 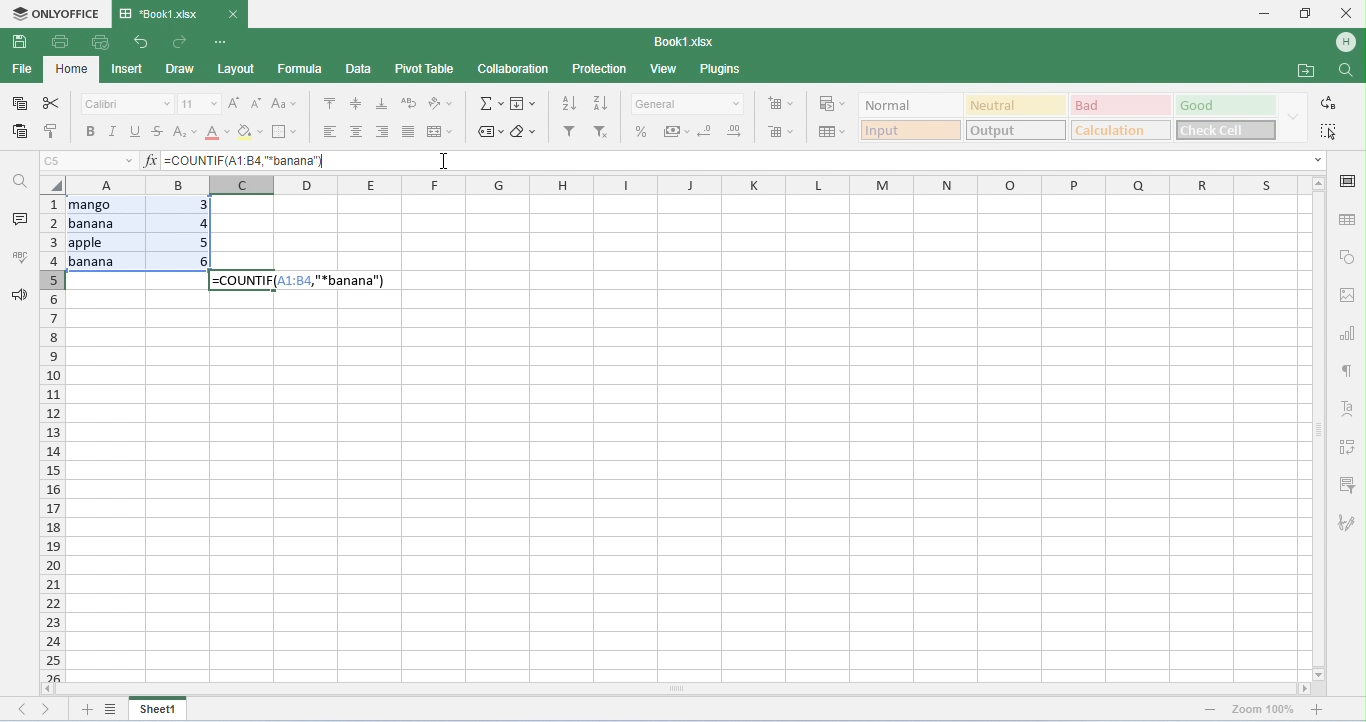 I want to click on signature, so click(x=1346, y=524).